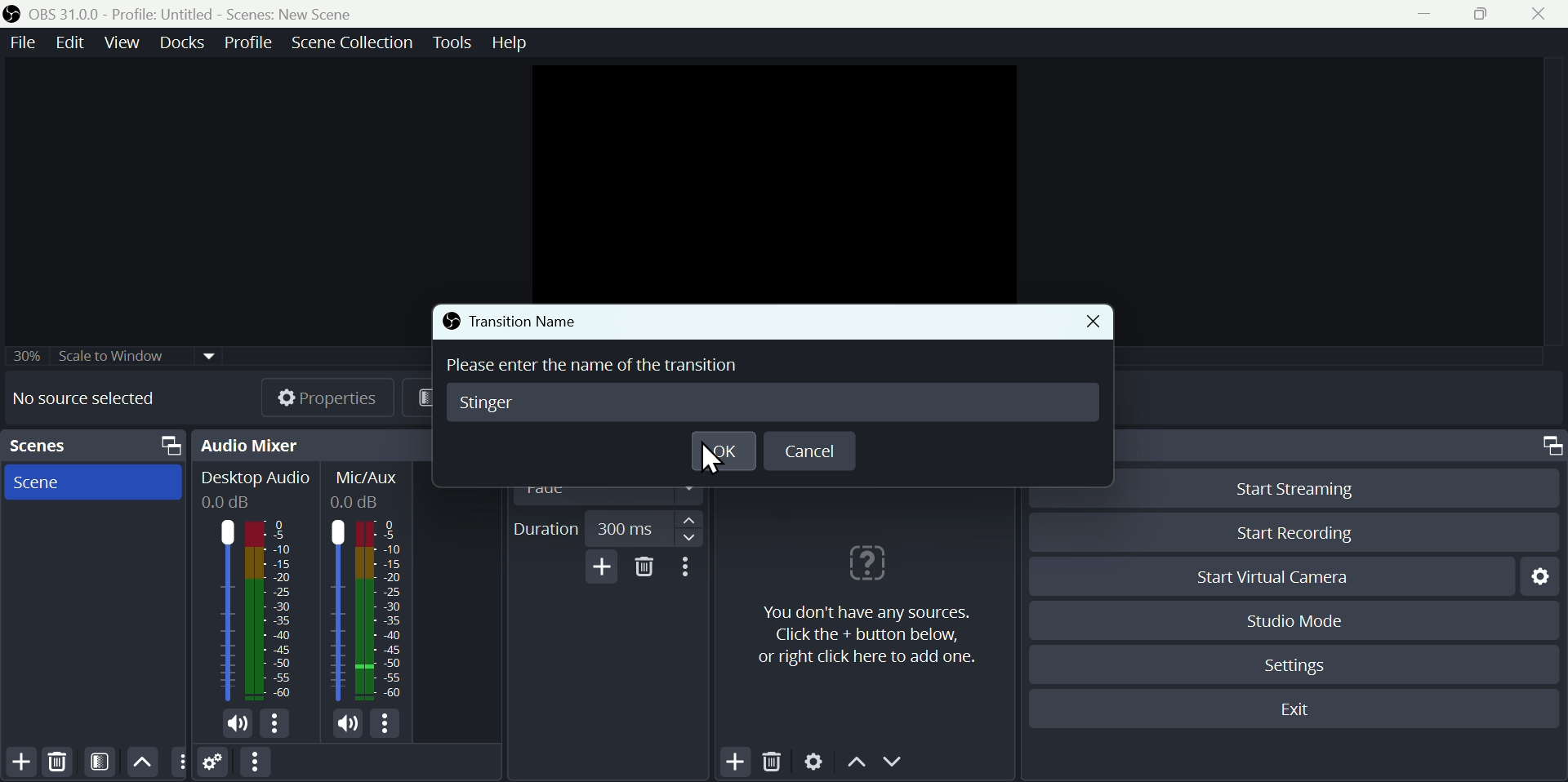 Image resolution: width=1568 pixels, height=782 pixels. What do you see at coordinates (351, 41) in the screenshot?
I see `` at bounding box center [351, 41].